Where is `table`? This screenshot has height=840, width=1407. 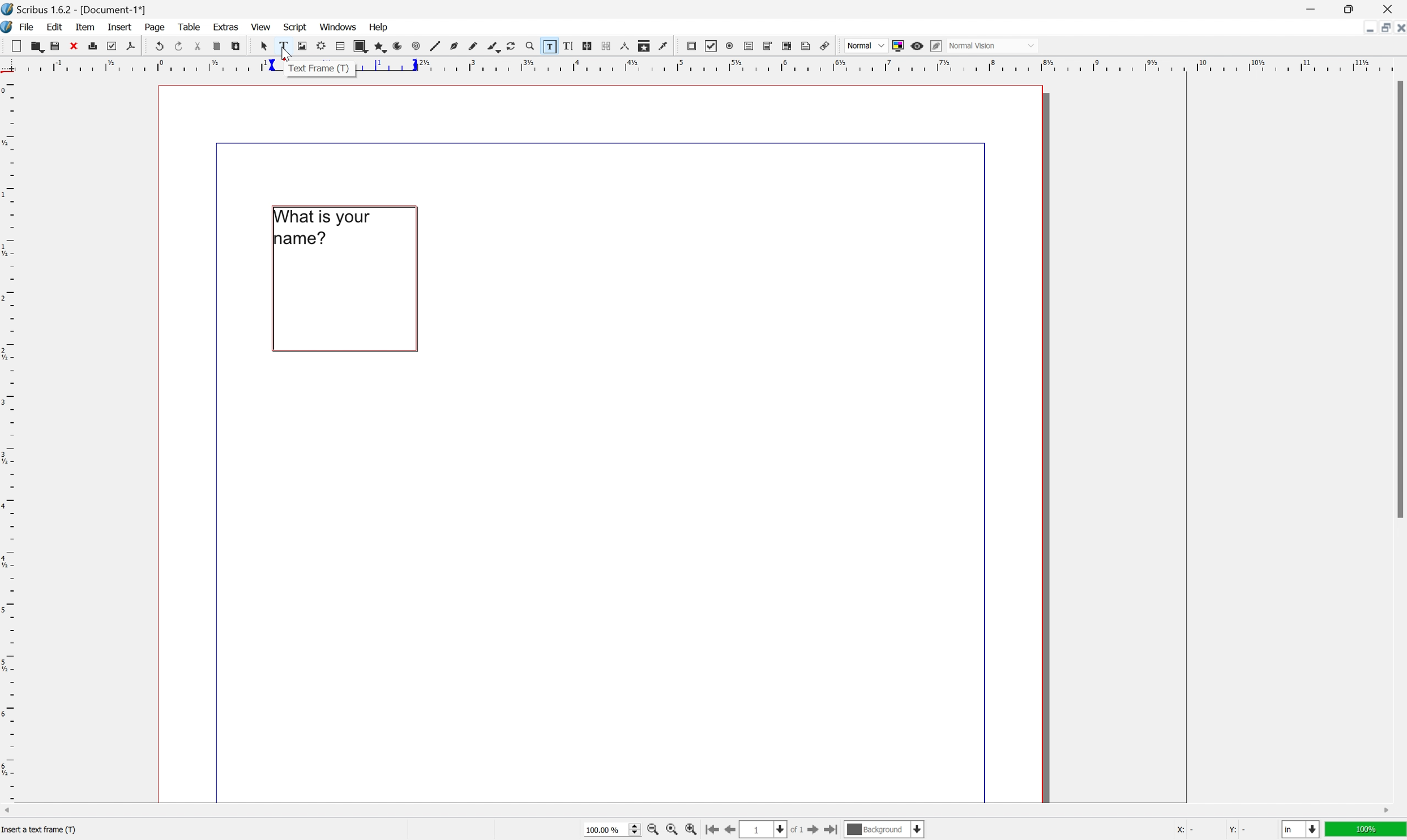
table is located at coordinates (340, 46).